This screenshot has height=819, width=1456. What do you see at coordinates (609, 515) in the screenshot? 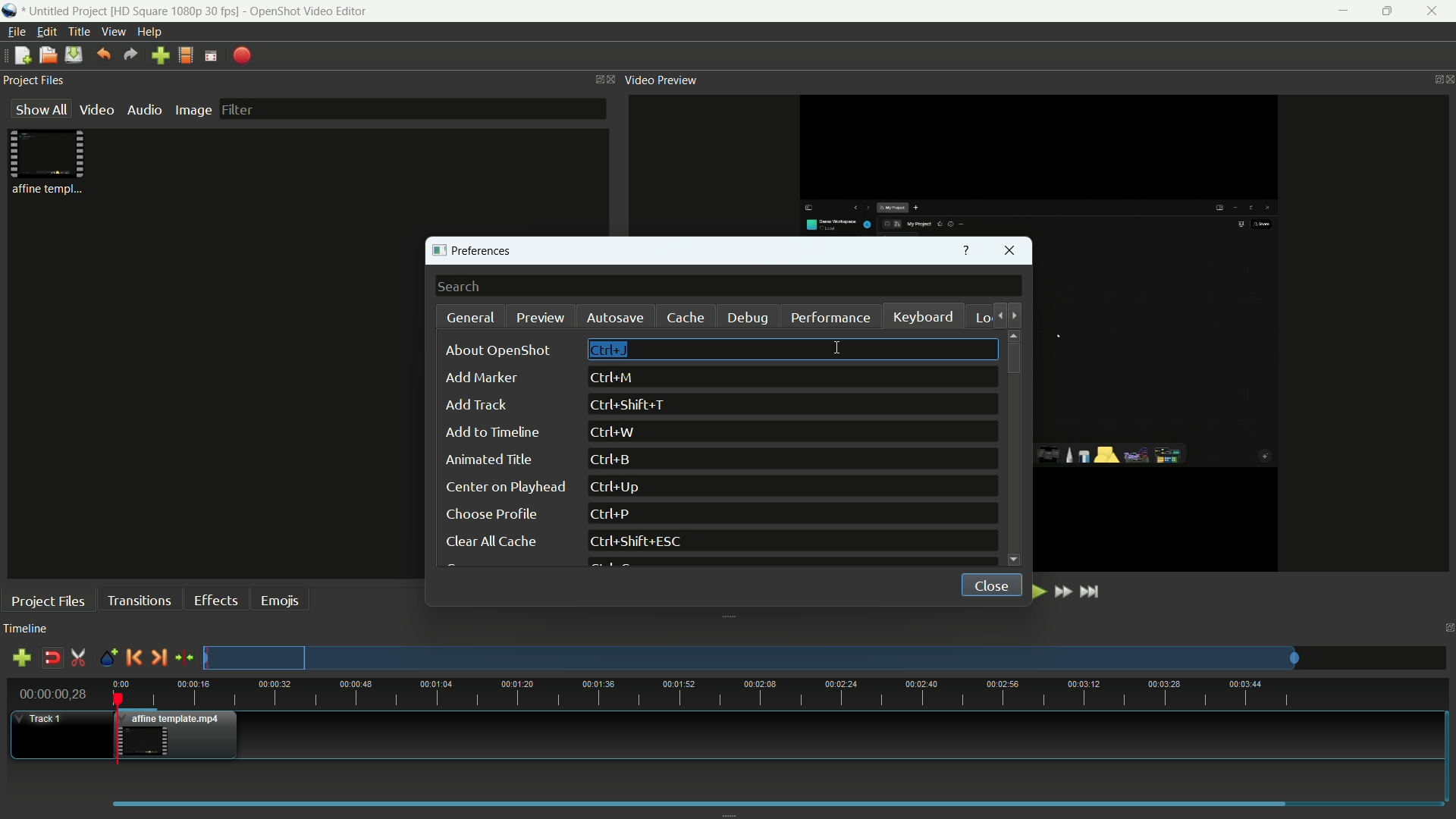
I see `keyboard shortcut` at bounding box center [609, 515].